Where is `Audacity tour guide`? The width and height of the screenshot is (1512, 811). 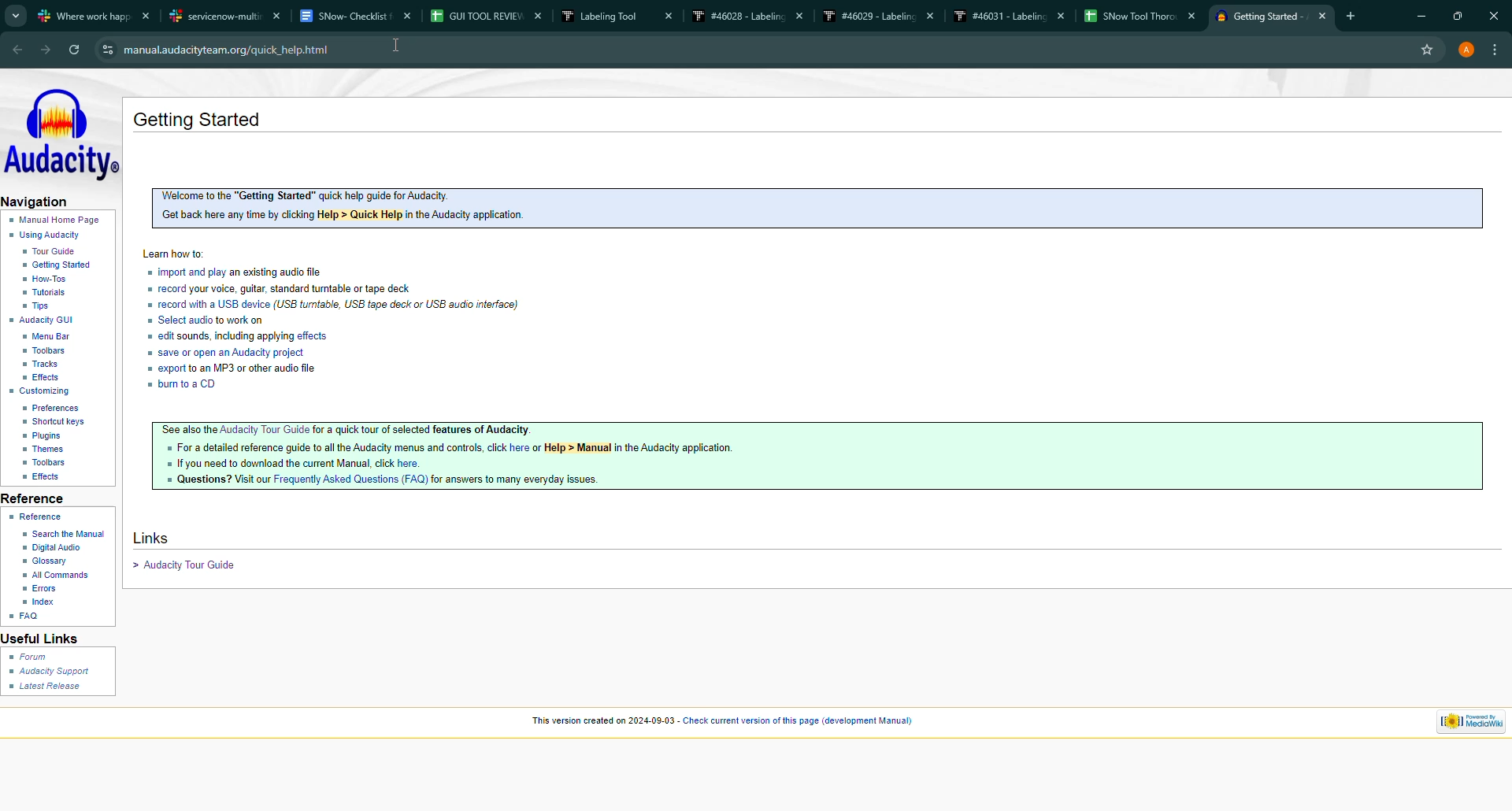
Audacity tour guide is located at coordinates (192, 567).